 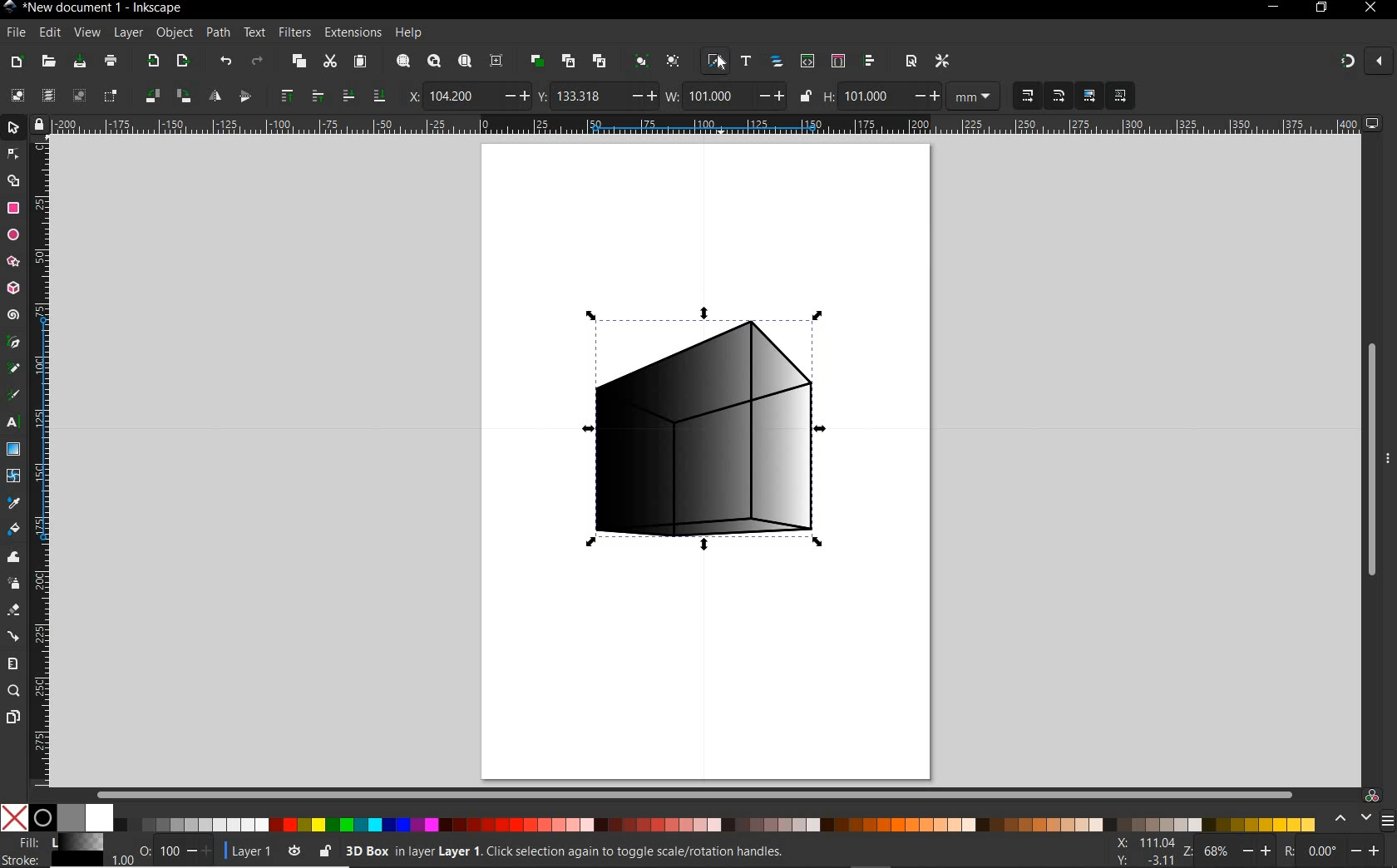 What do you see at coordinates (1189, 853) in the screenshot?
I see `ZOOM` at bounding box center [1189, 853].